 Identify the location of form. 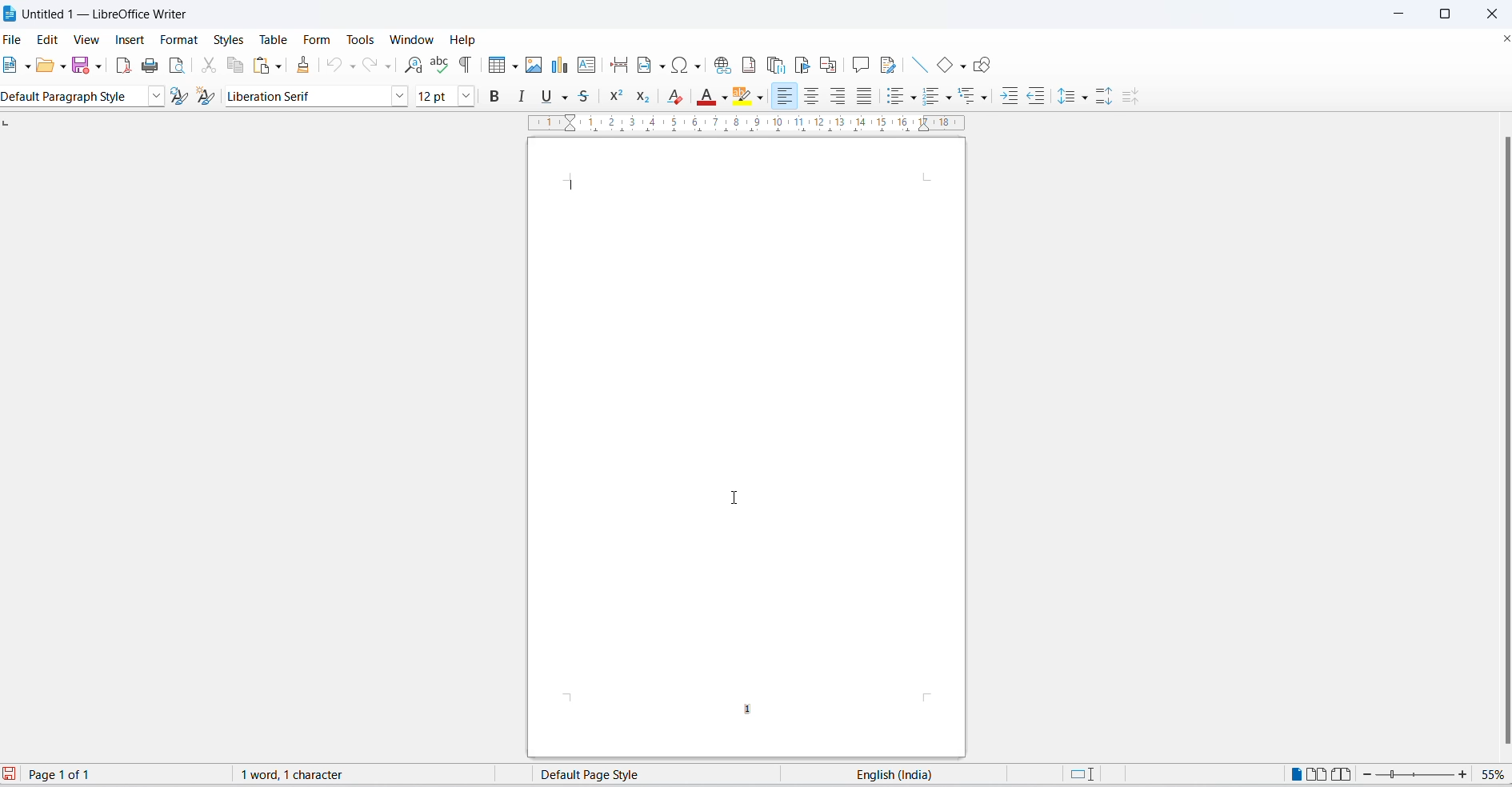
(317, 40).